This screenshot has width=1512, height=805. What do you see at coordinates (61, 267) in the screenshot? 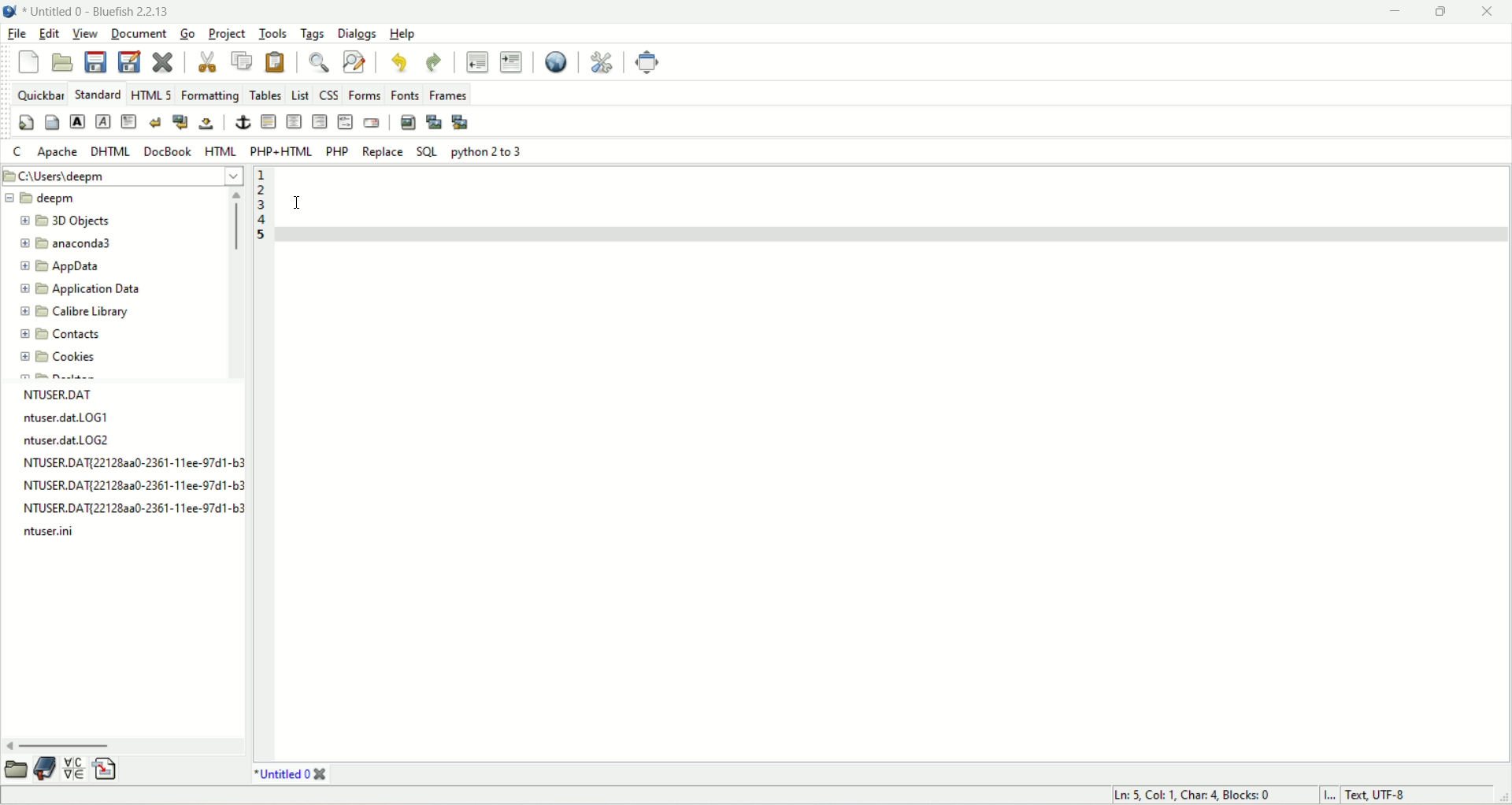
I see `app data` at bounding box center [61, 267].